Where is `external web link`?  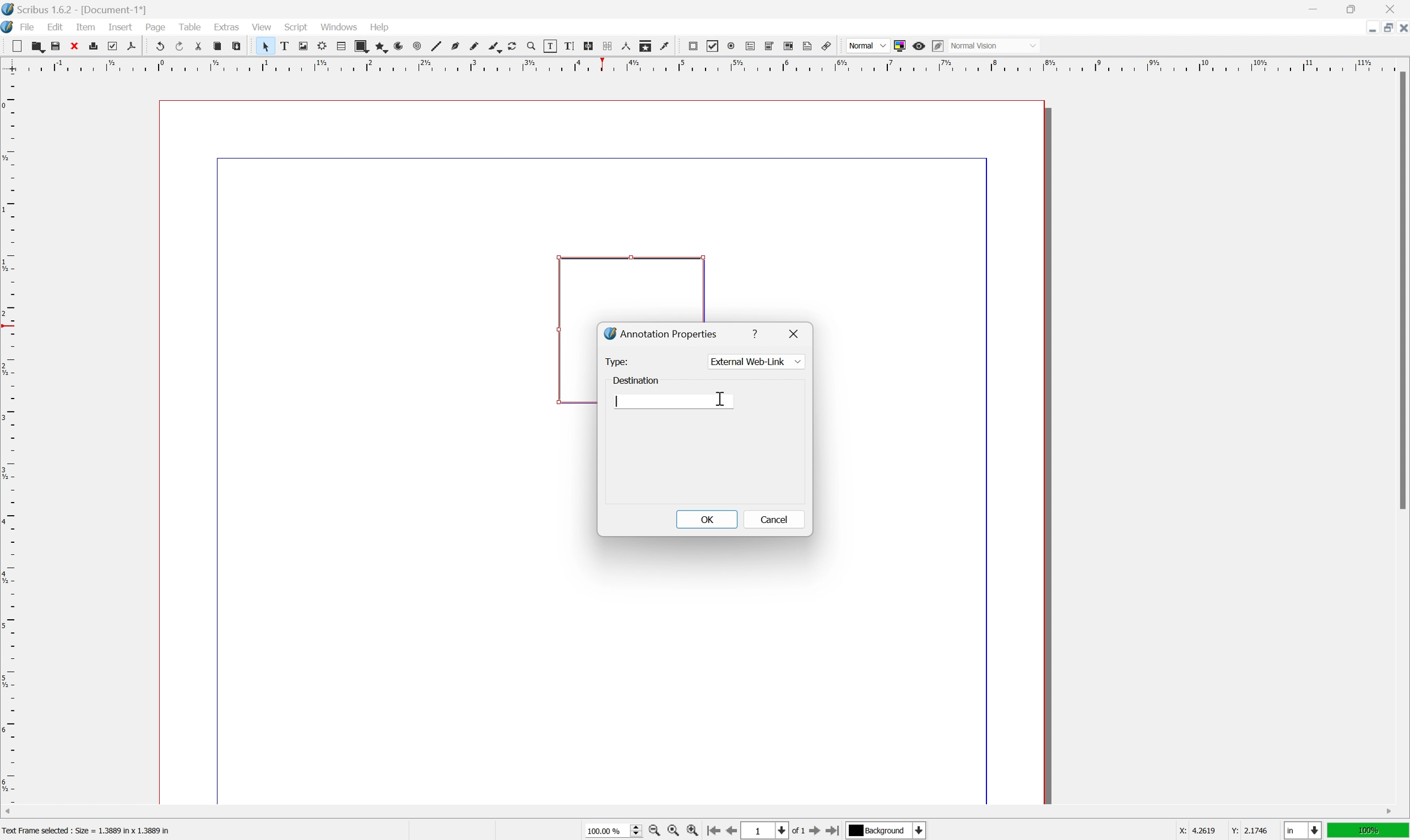 external web link is located at coordinates (755, 361).